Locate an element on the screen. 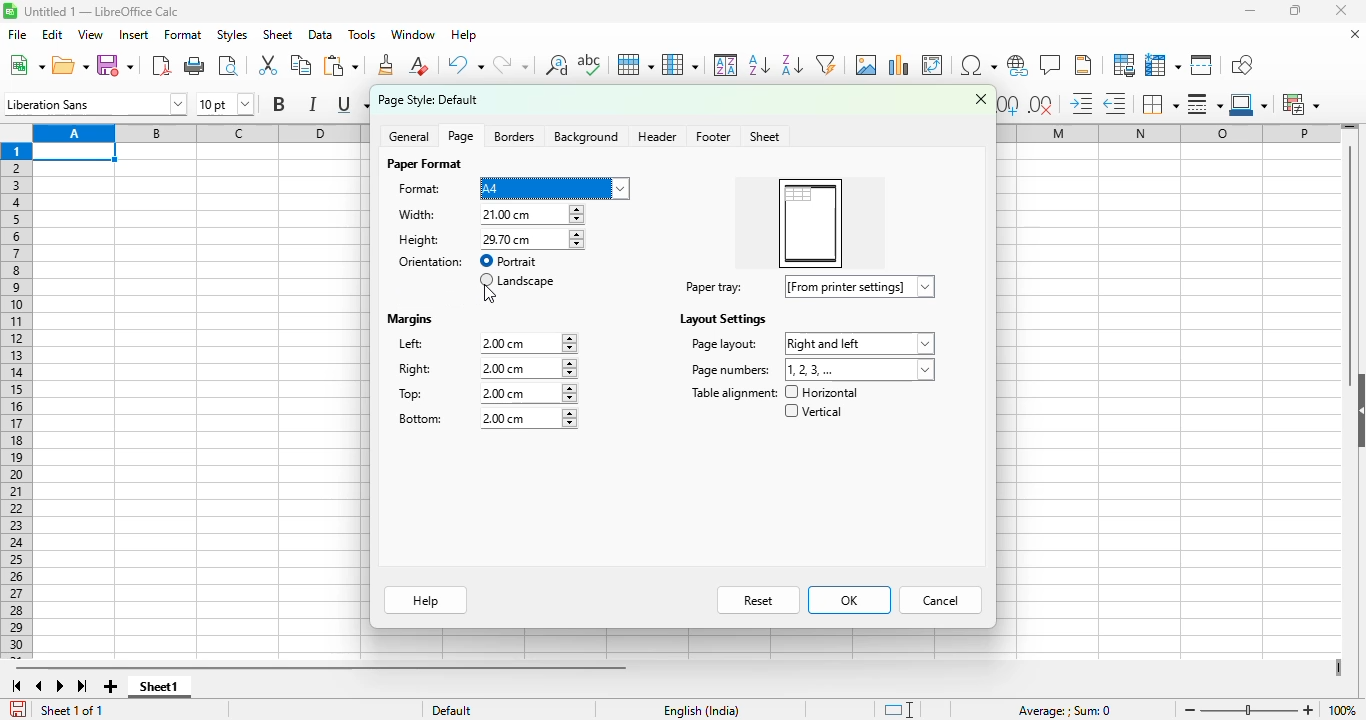 This screenshot has width=1366, height=720. bottom:  is located at coordinates (421, 418).